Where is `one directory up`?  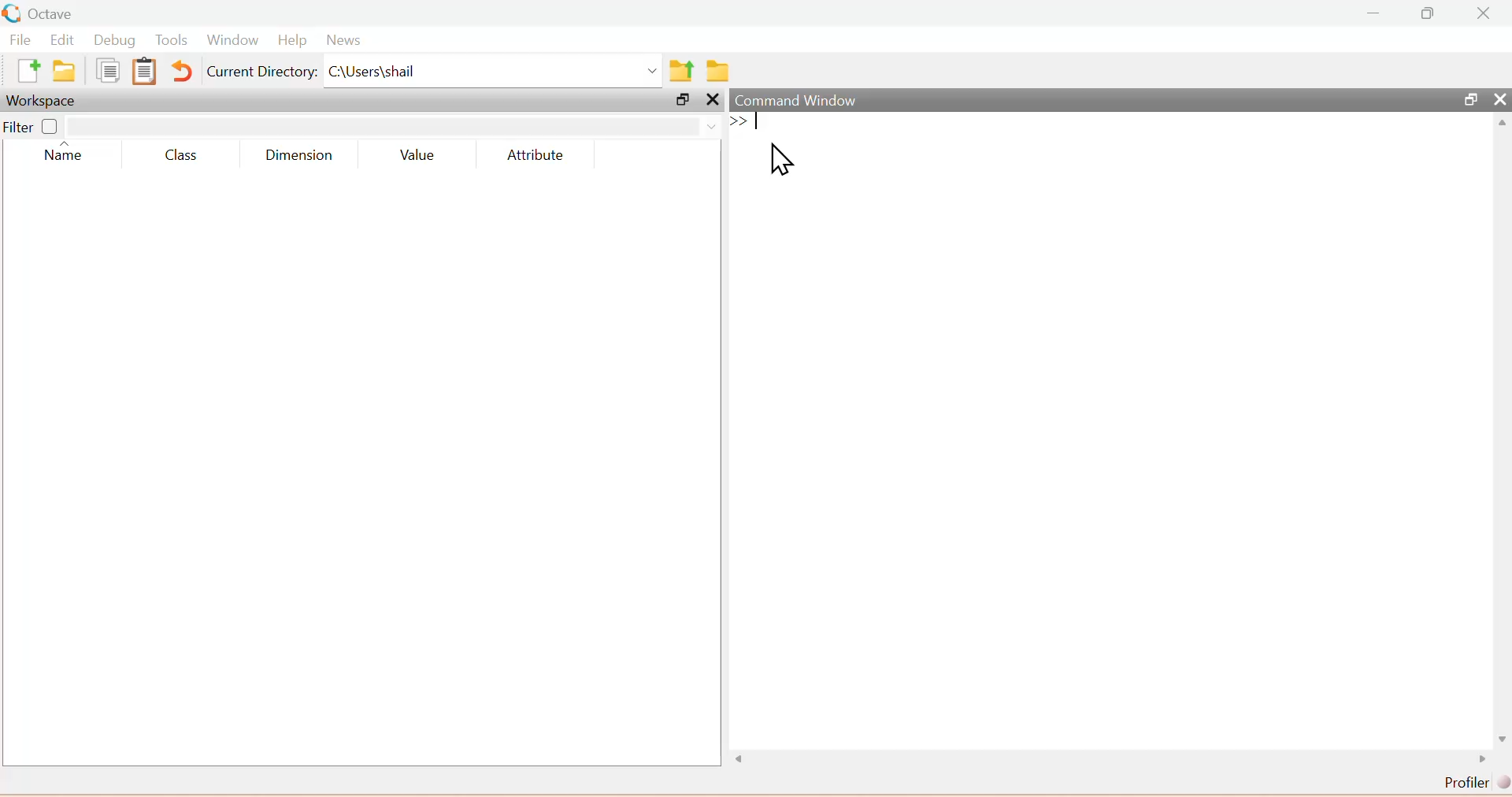 one directory up is located at coordinates (684, 72).